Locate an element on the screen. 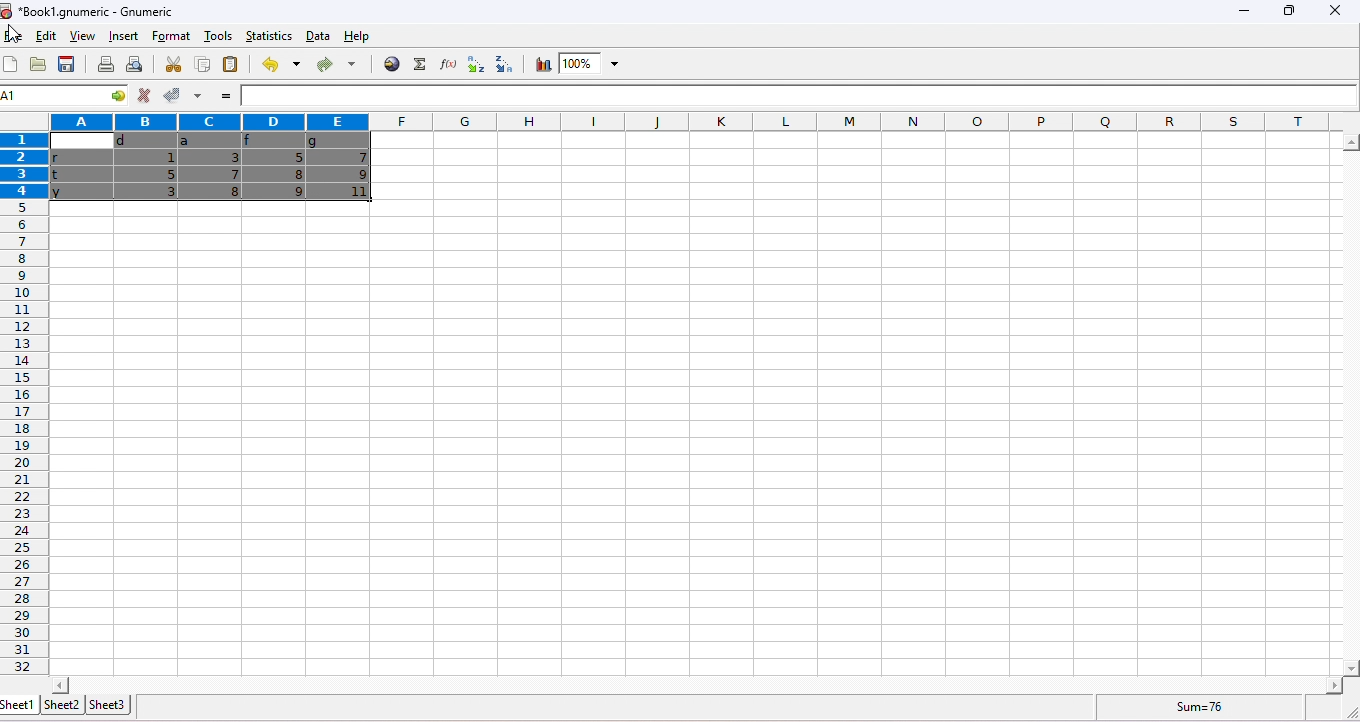  expand is located at coordinates (1345, 711).